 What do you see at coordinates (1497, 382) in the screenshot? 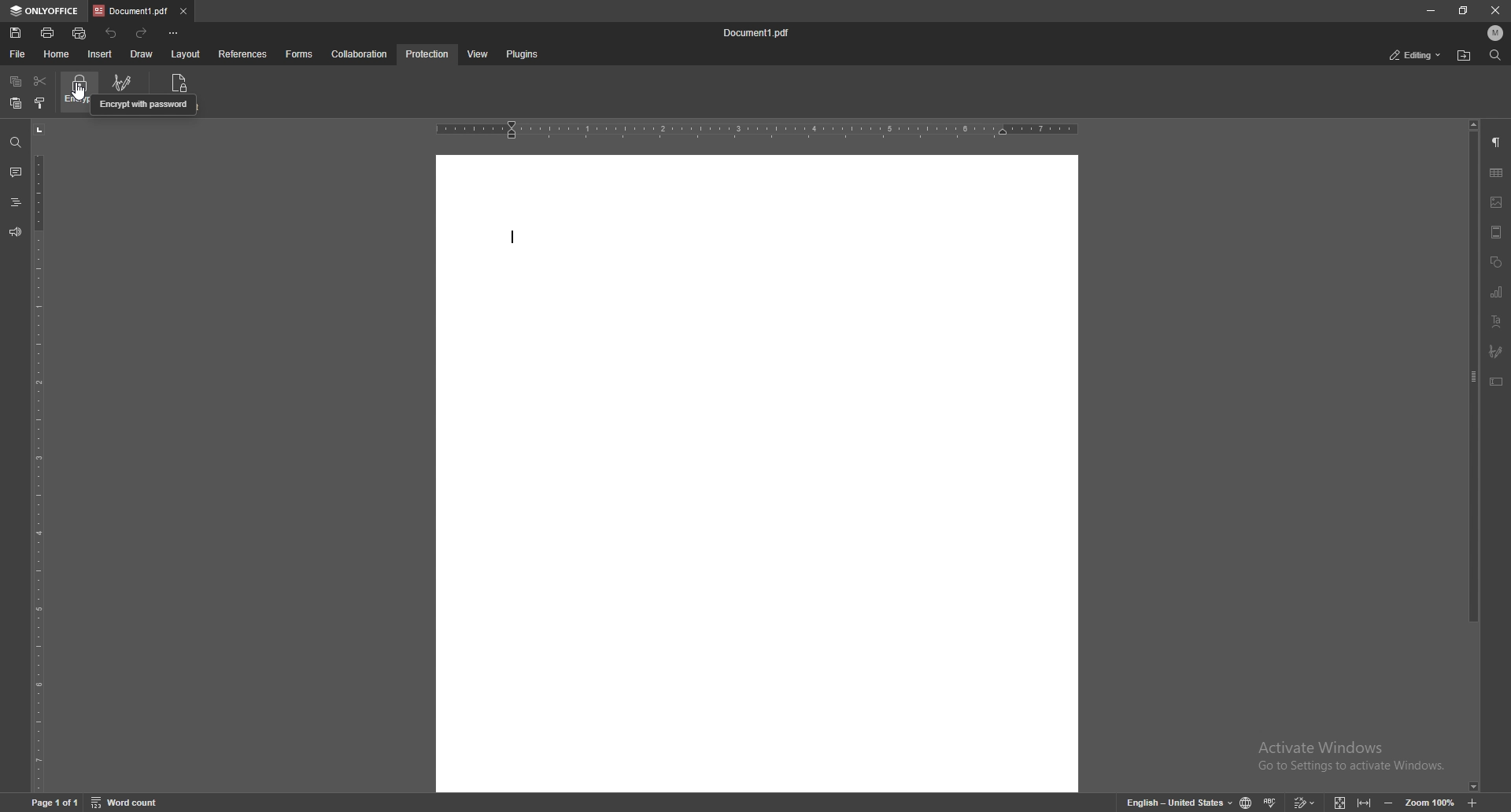
I see `text box` at bounding box center [1497, 382].